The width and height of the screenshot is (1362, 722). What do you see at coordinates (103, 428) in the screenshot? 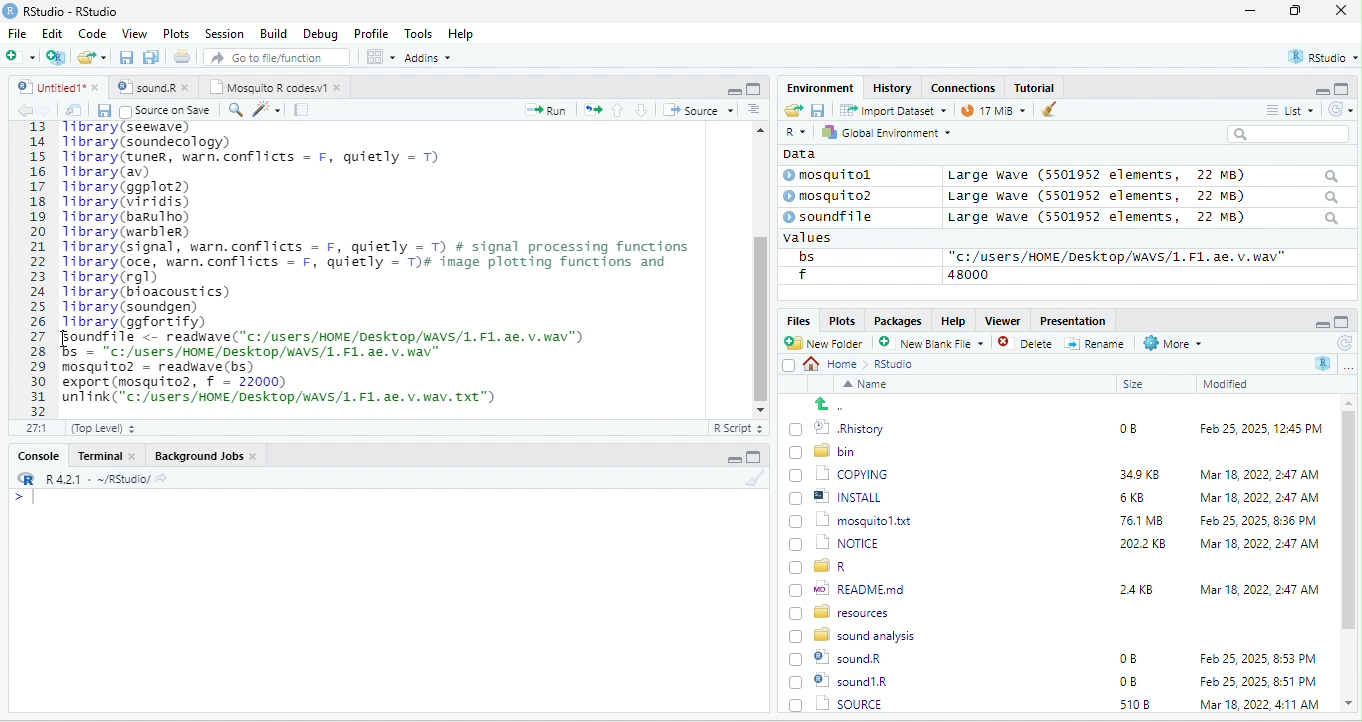
I see `(Top Level) +` at bounding box center [103, 428].